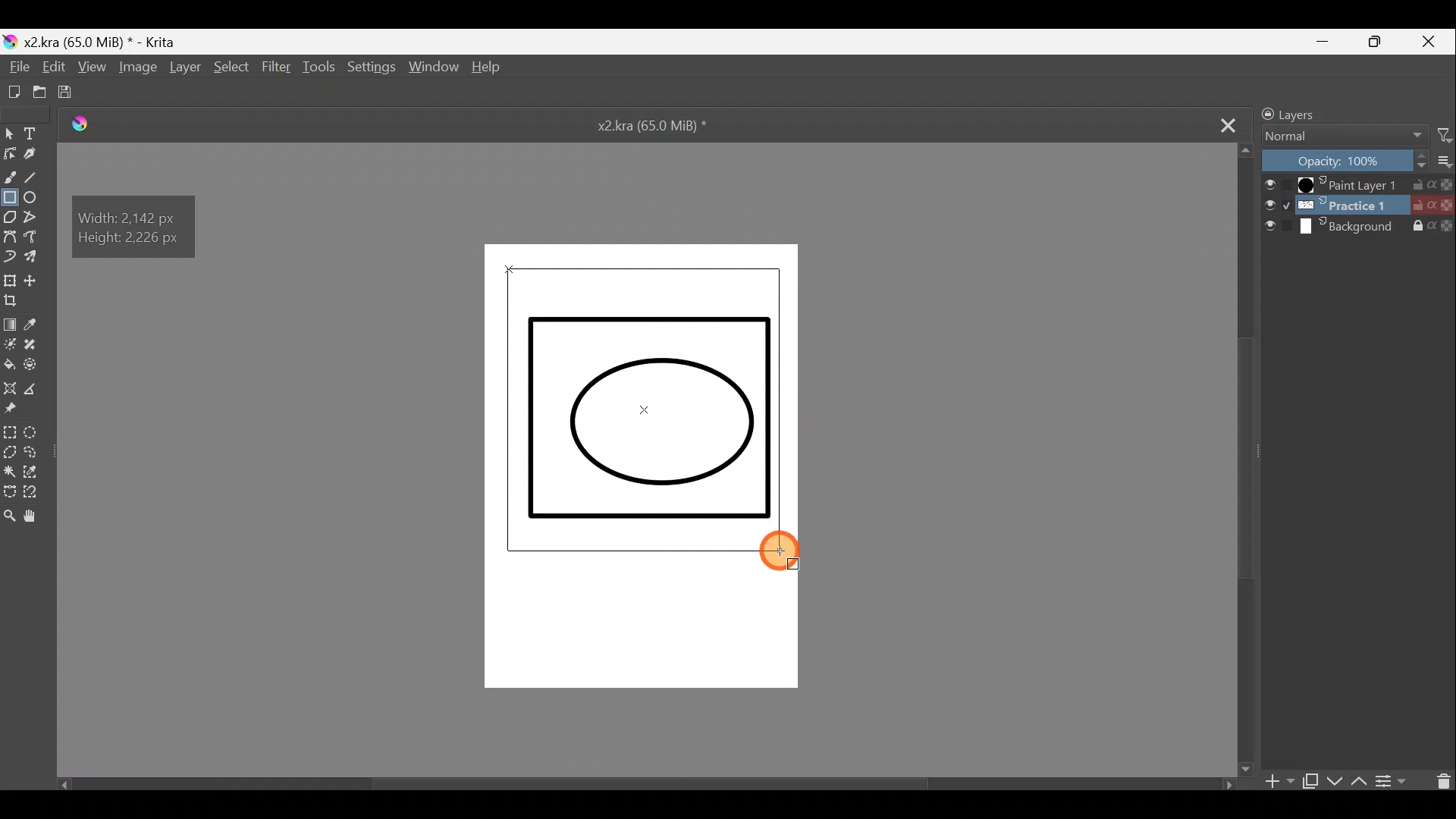 The image size is (1456, 819). I want to click on Freehand selection tool, so click(33, 453).